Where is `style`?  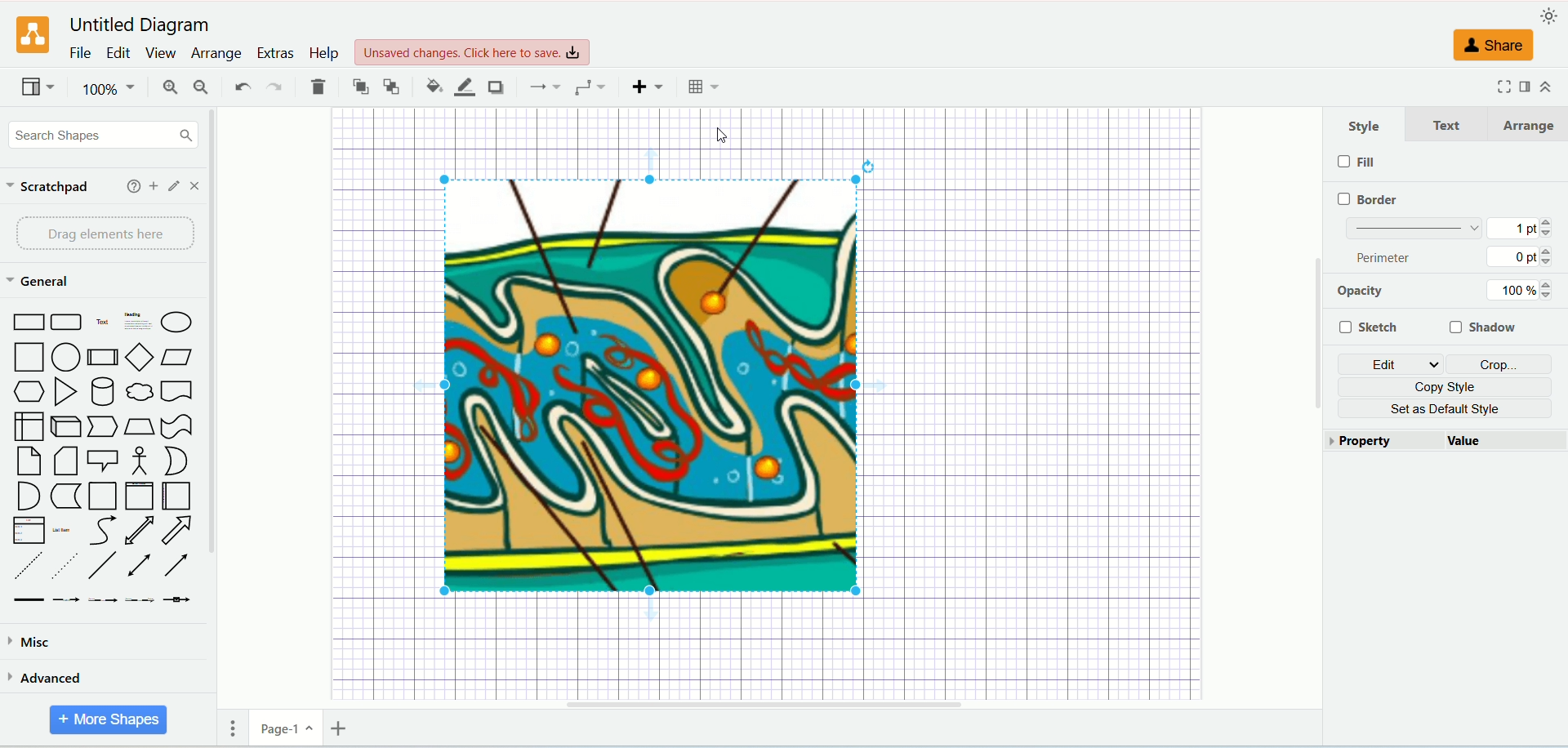
style is located at coordinates (1365, 124).